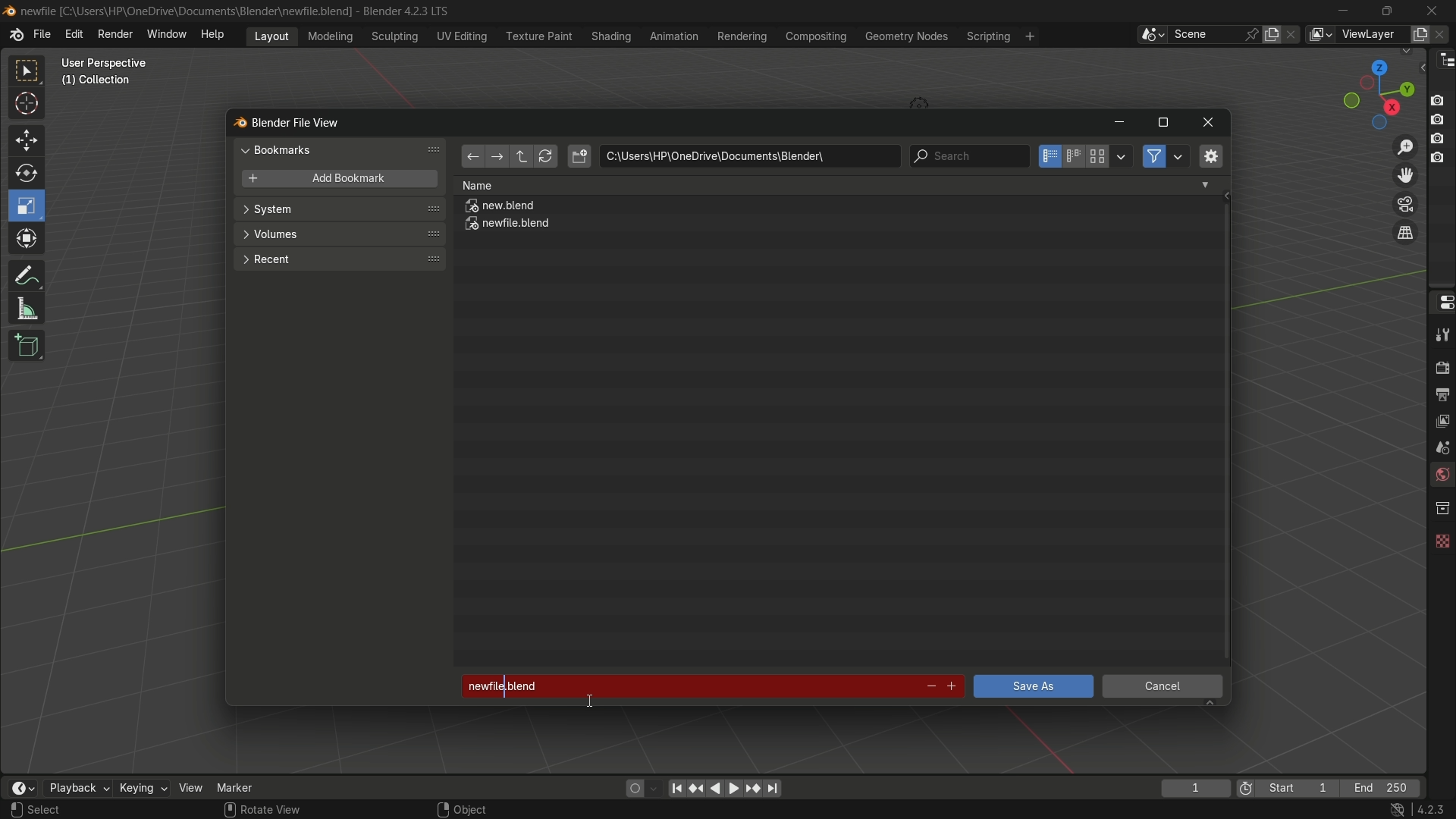  What do you see at coordinates (749, 156) in the screenshot?
I see `location` at bounding box center [749, 156].